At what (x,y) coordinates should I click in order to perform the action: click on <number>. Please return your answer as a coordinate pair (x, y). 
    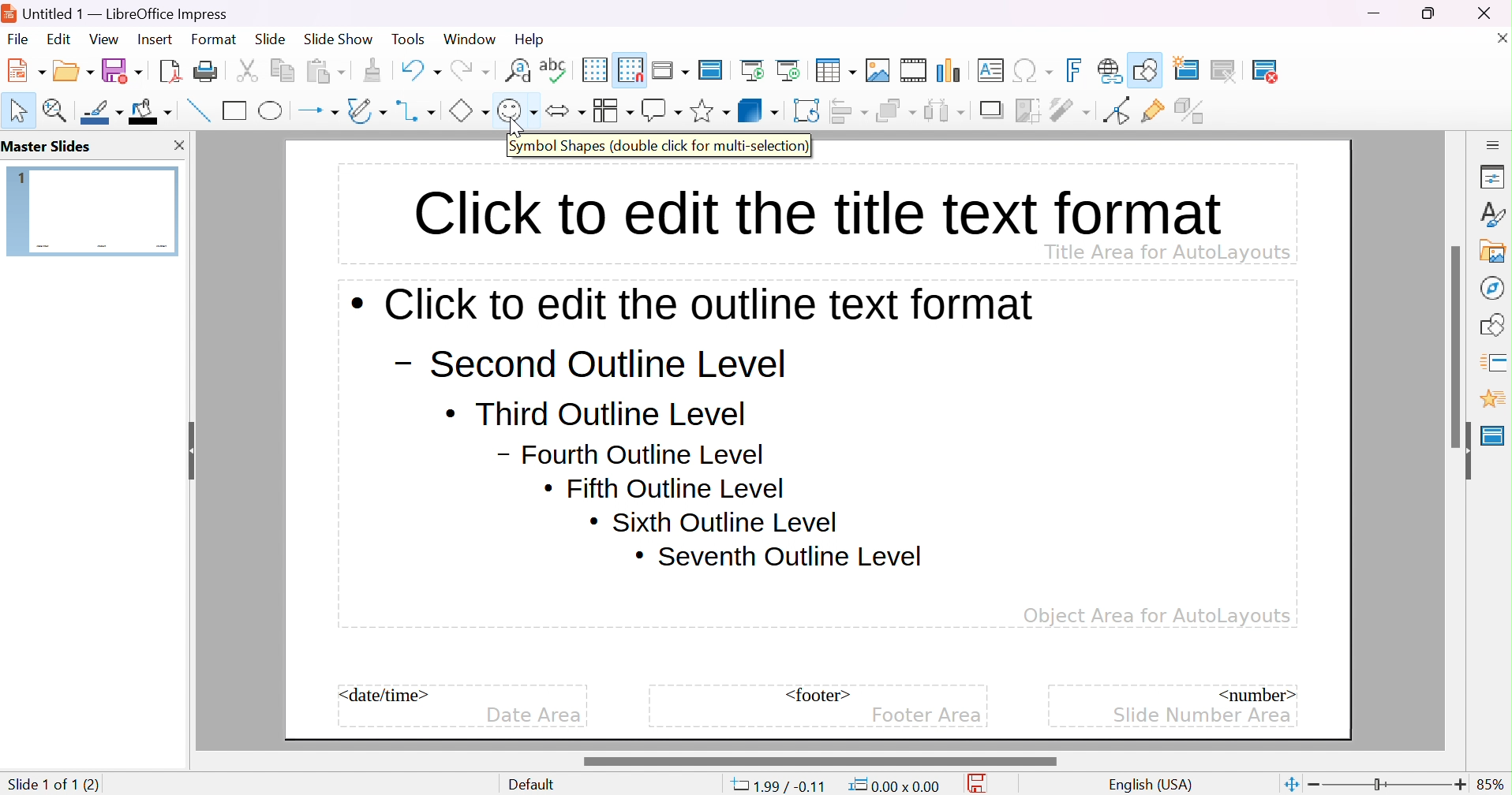
    Looking at the image, I should click on (1255, 693).